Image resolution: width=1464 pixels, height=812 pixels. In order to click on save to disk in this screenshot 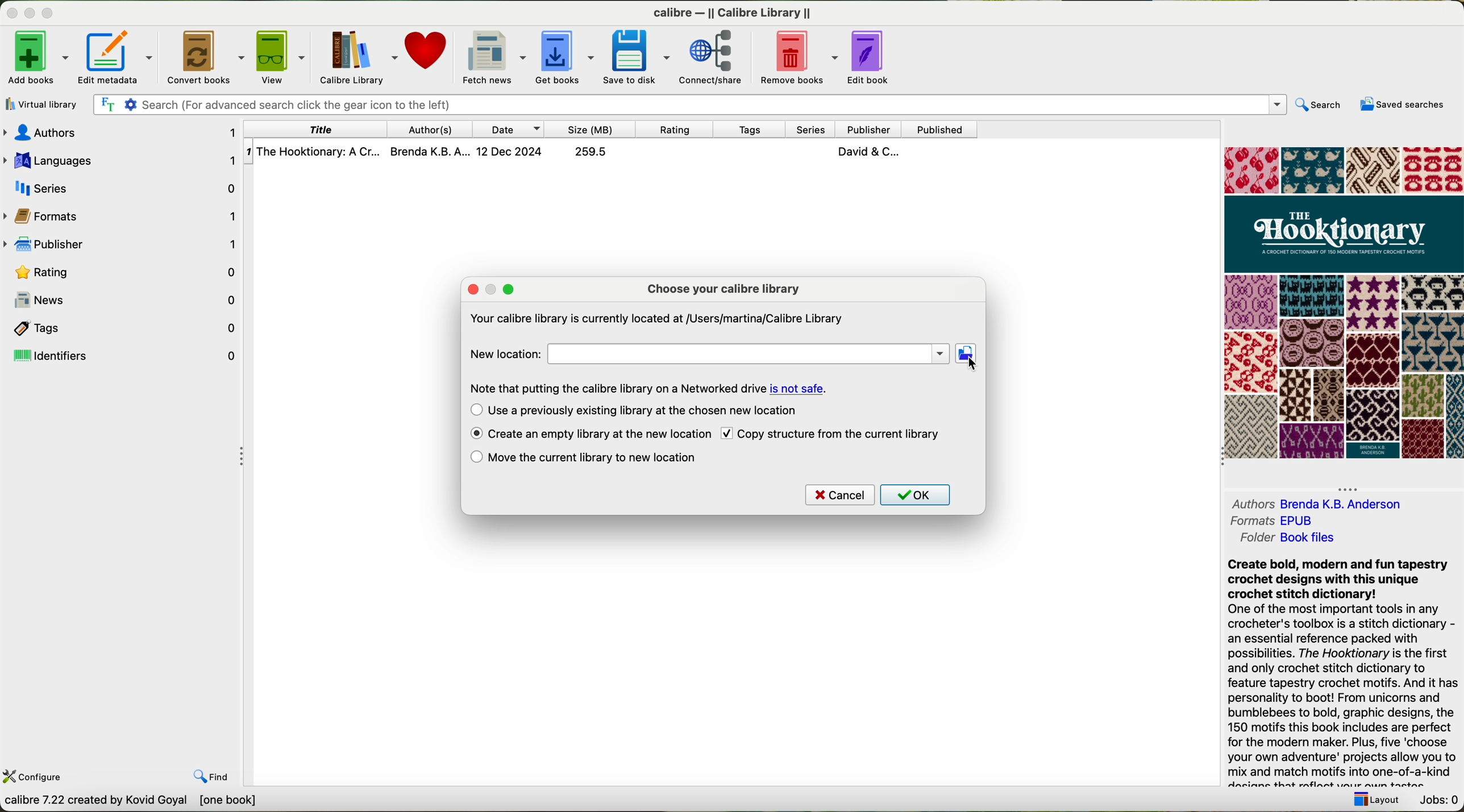, I will do `click(638, 57)`.